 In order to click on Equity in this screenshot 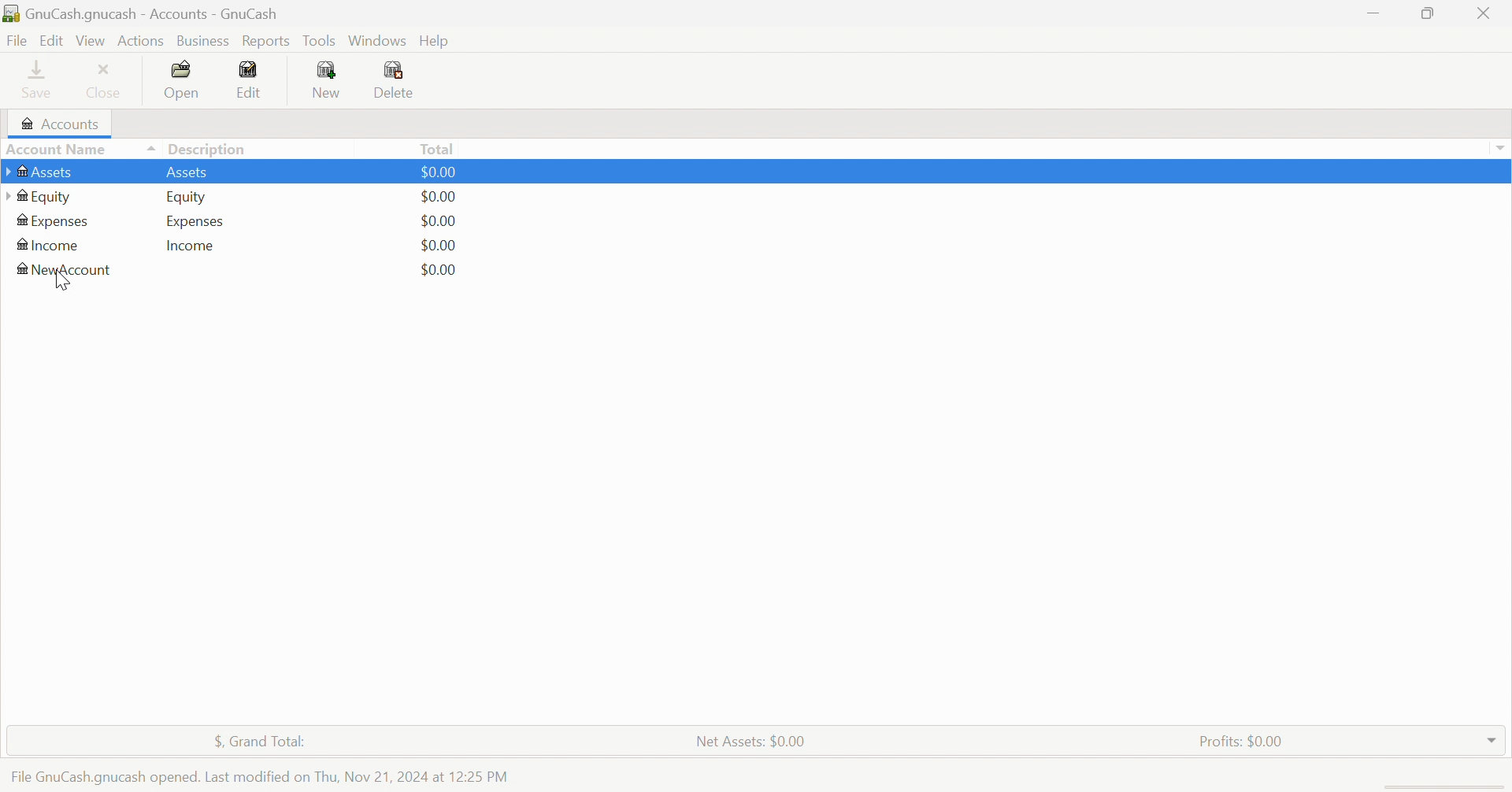, I will do `click(41, 196)`.